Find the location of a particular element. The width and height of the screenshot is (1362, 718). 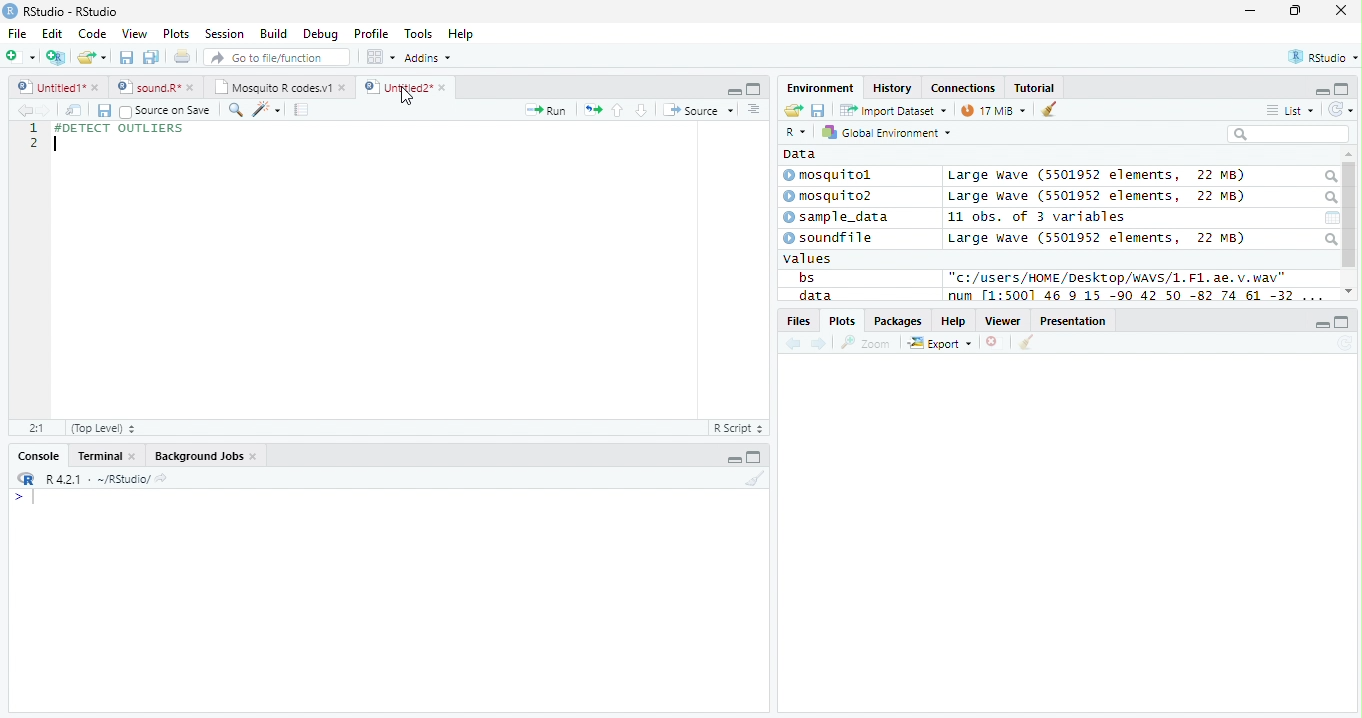

Export is located at coordinates (940, 344).